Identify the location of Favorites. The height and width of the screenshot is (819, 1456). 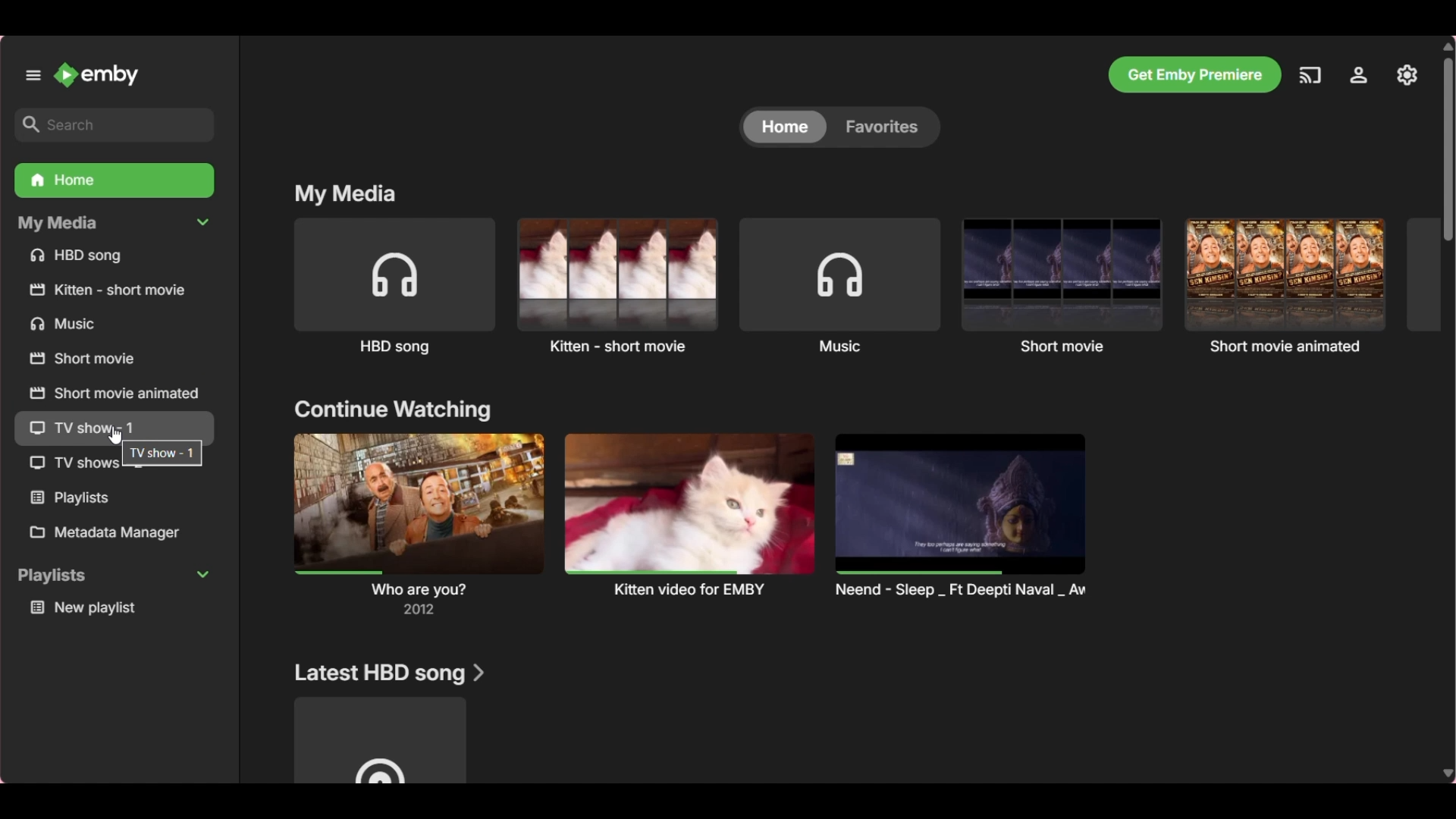
(889, 127).